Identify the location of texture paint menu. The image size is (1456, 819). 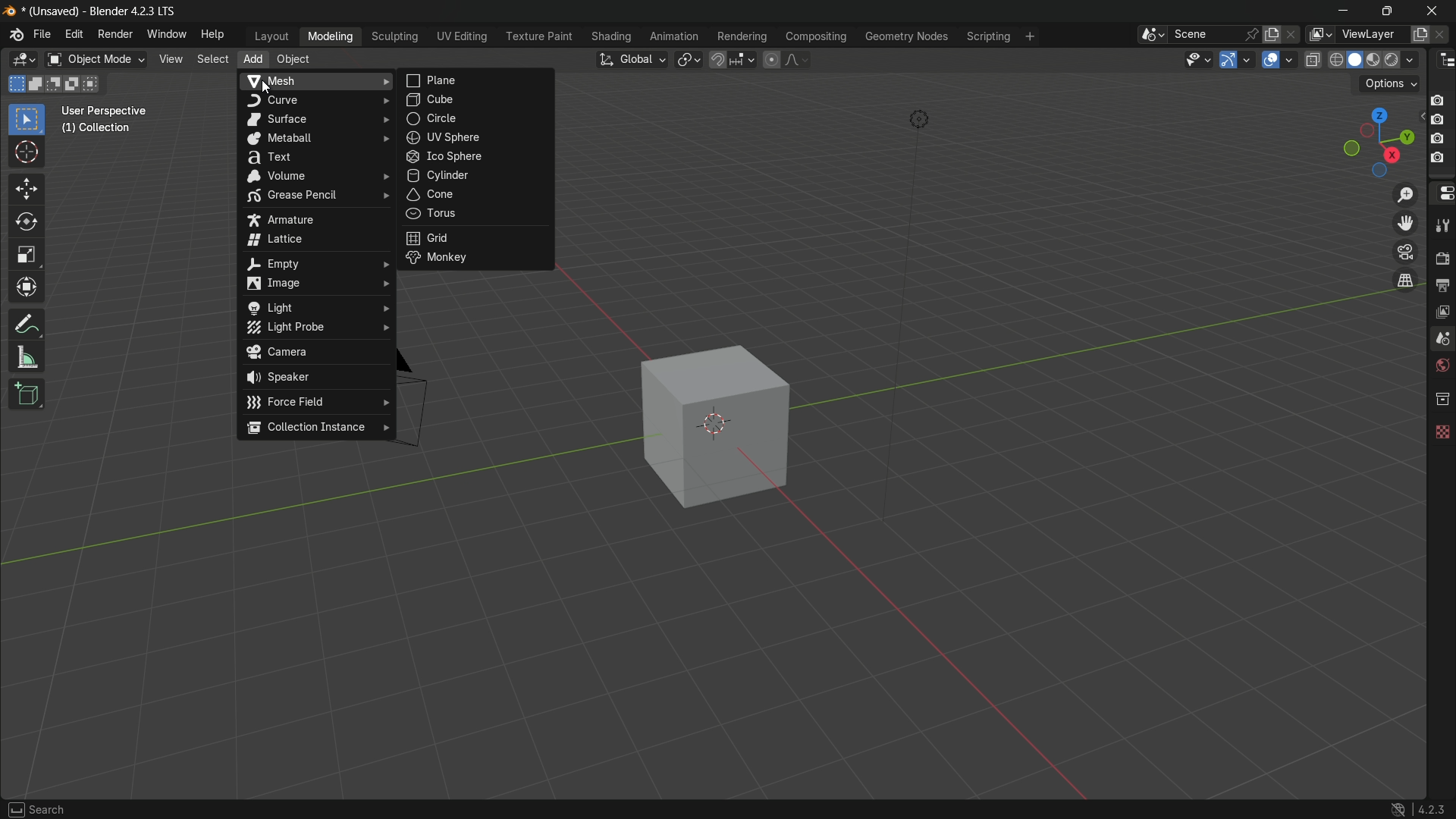
(538, 38).